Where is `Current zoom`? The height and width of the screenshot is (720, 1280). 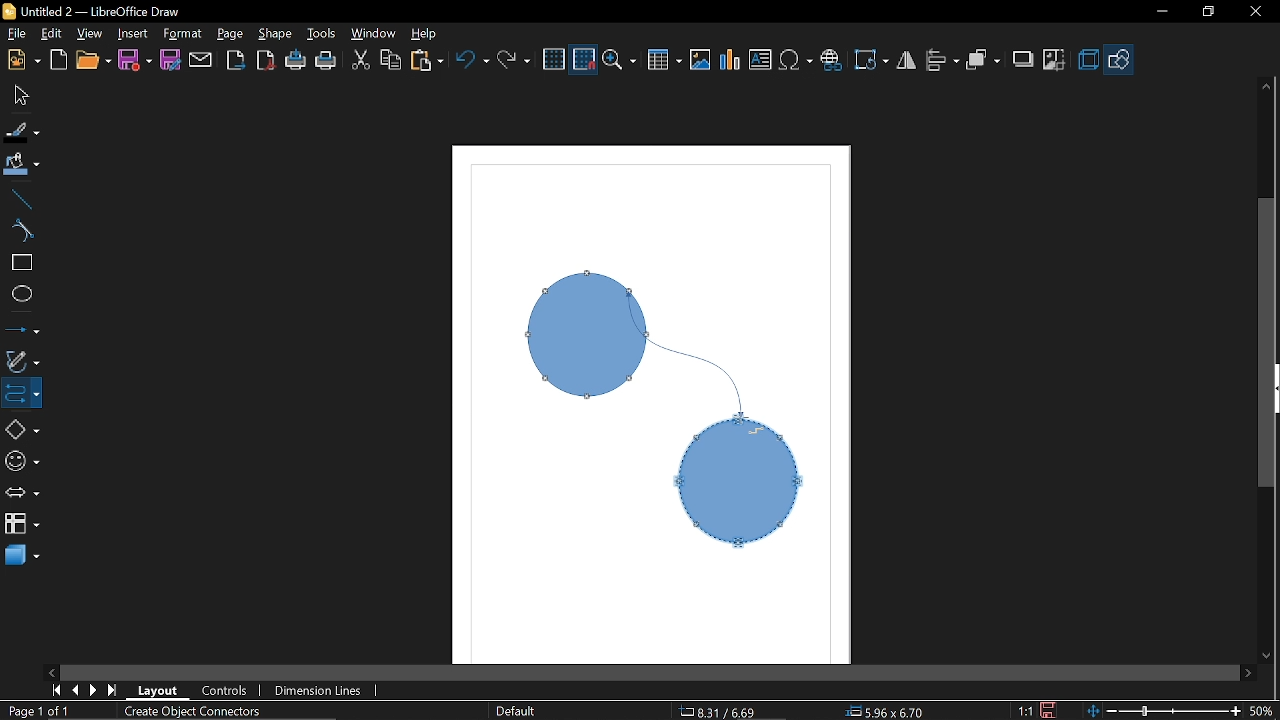 Current zoom is located at coordinates (1262, 710).